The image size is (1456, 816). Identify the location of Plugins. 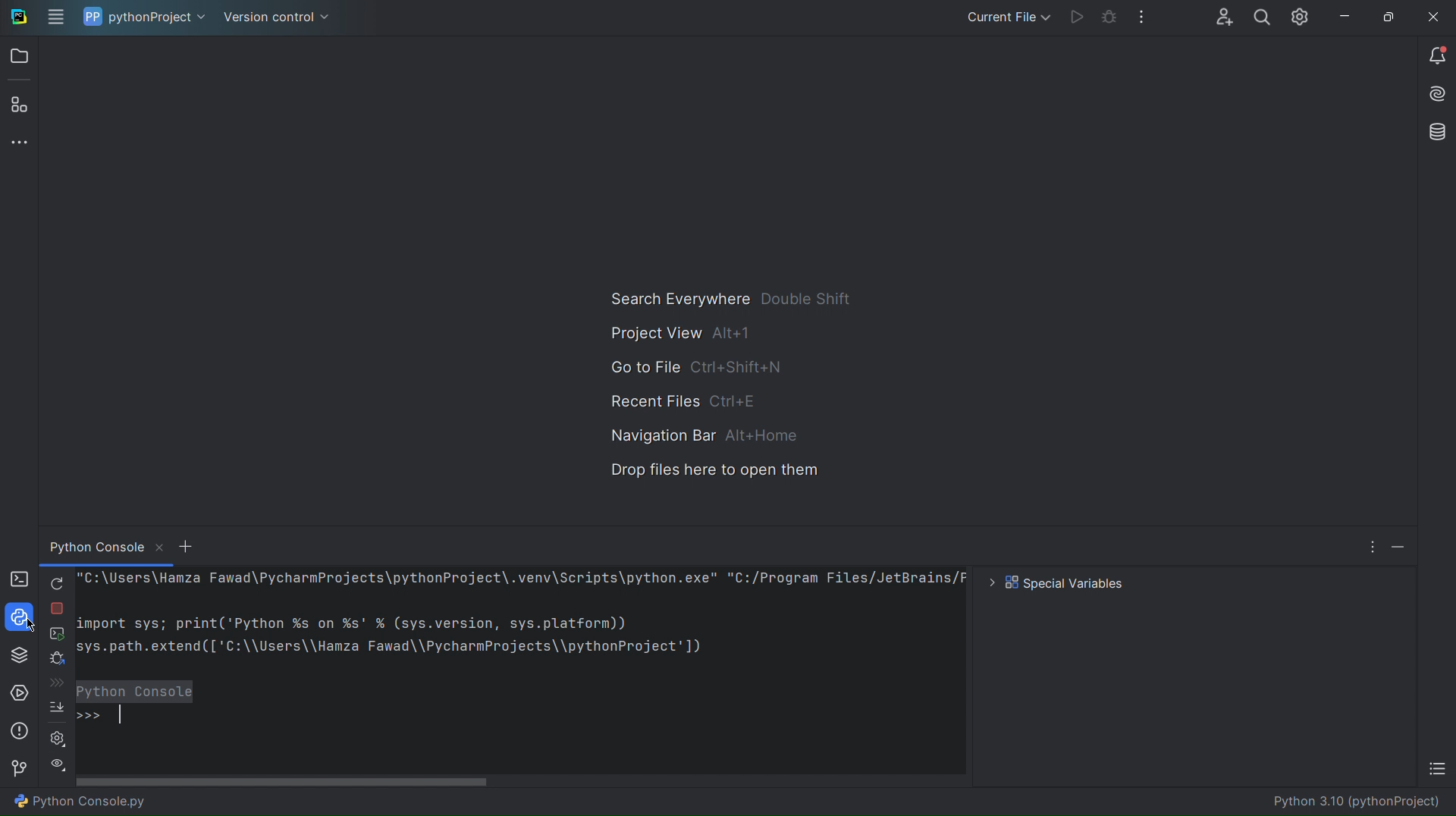
(23, 105).